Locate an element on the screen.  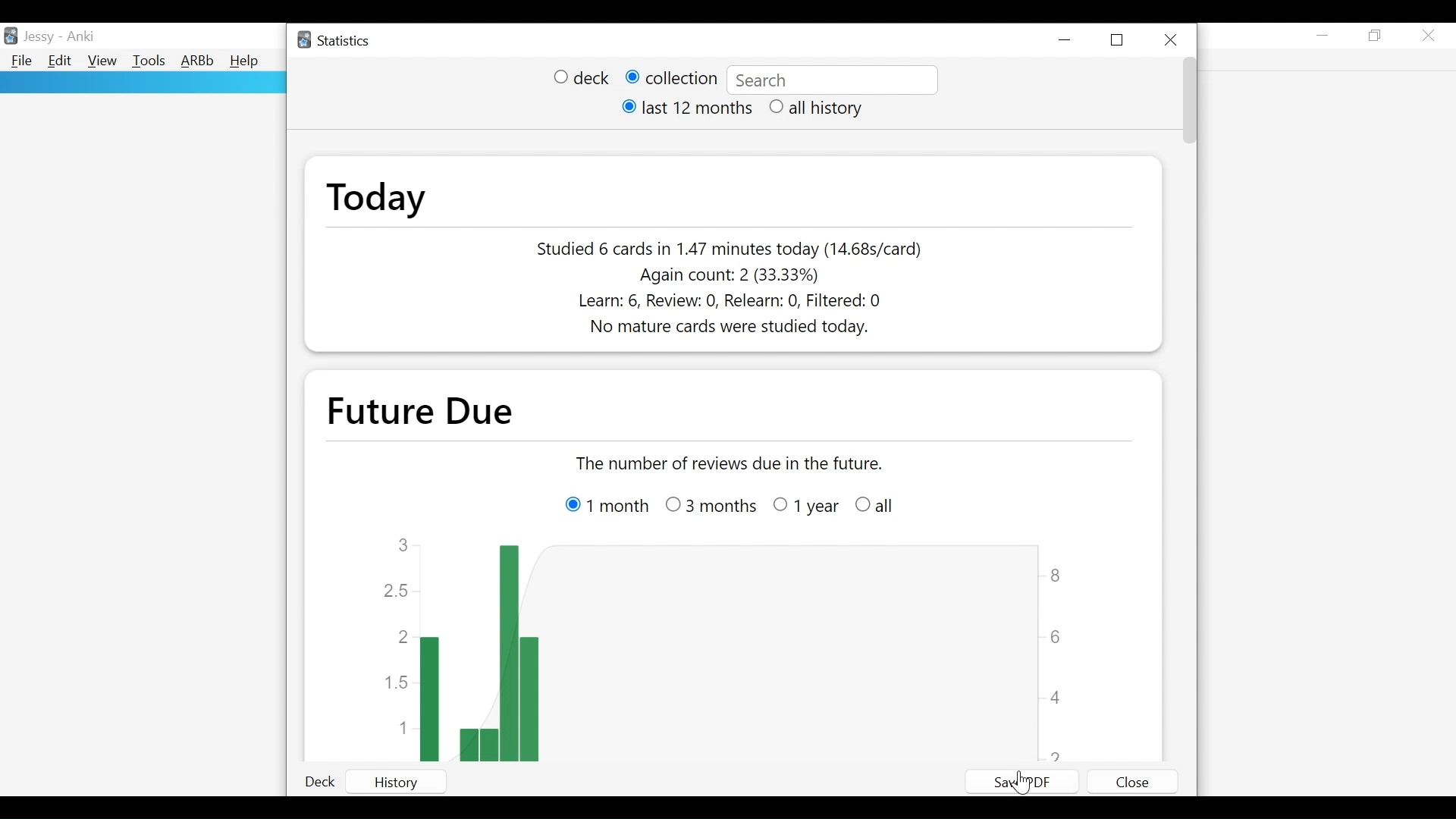
Close is located at coordinates (1172, 37).